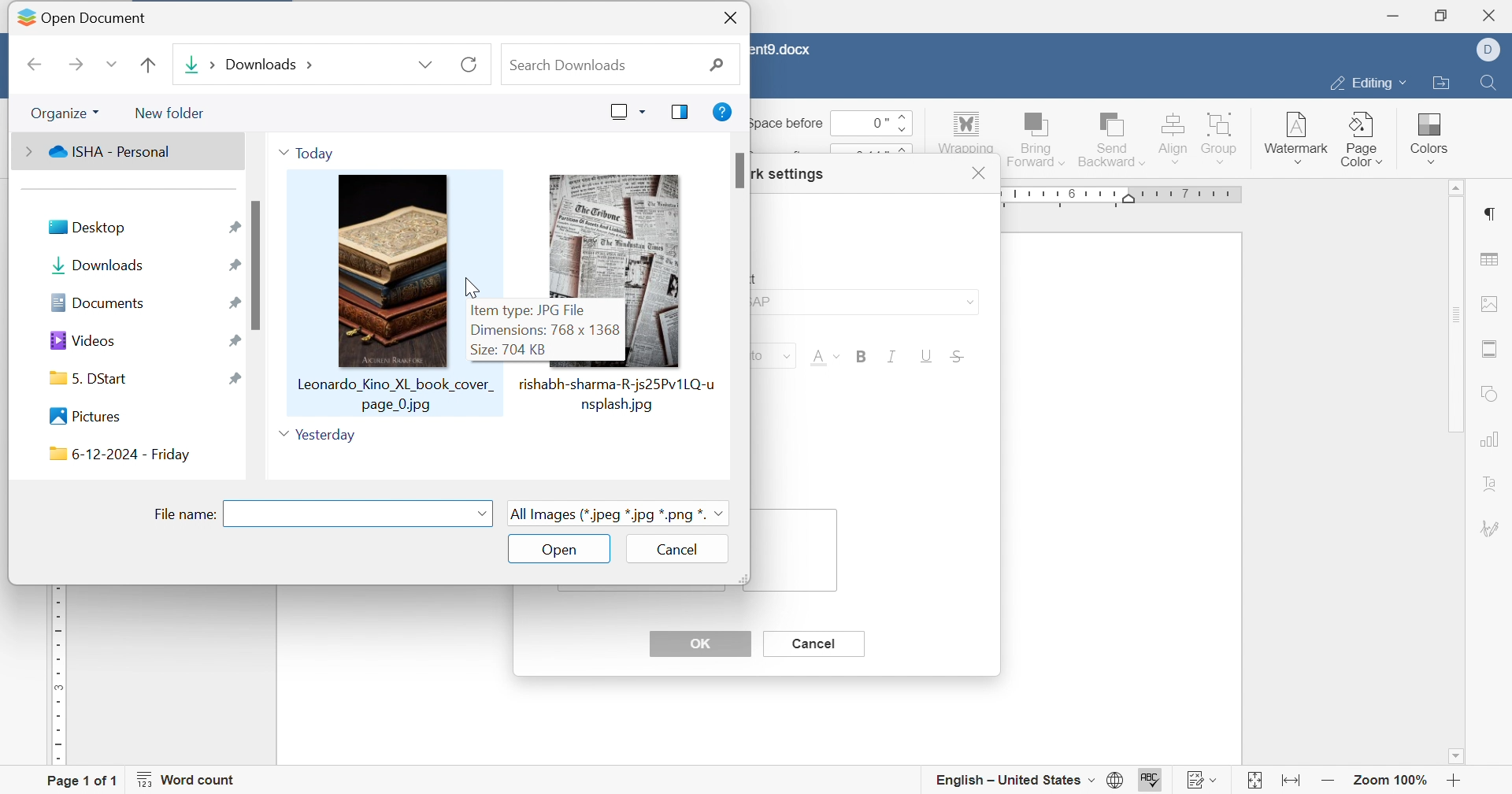 The height and width of the screenshot is (794, 1512). Describe the element at coordinates (1454, 783) in the screenshot. I see `zoom in` at that location.